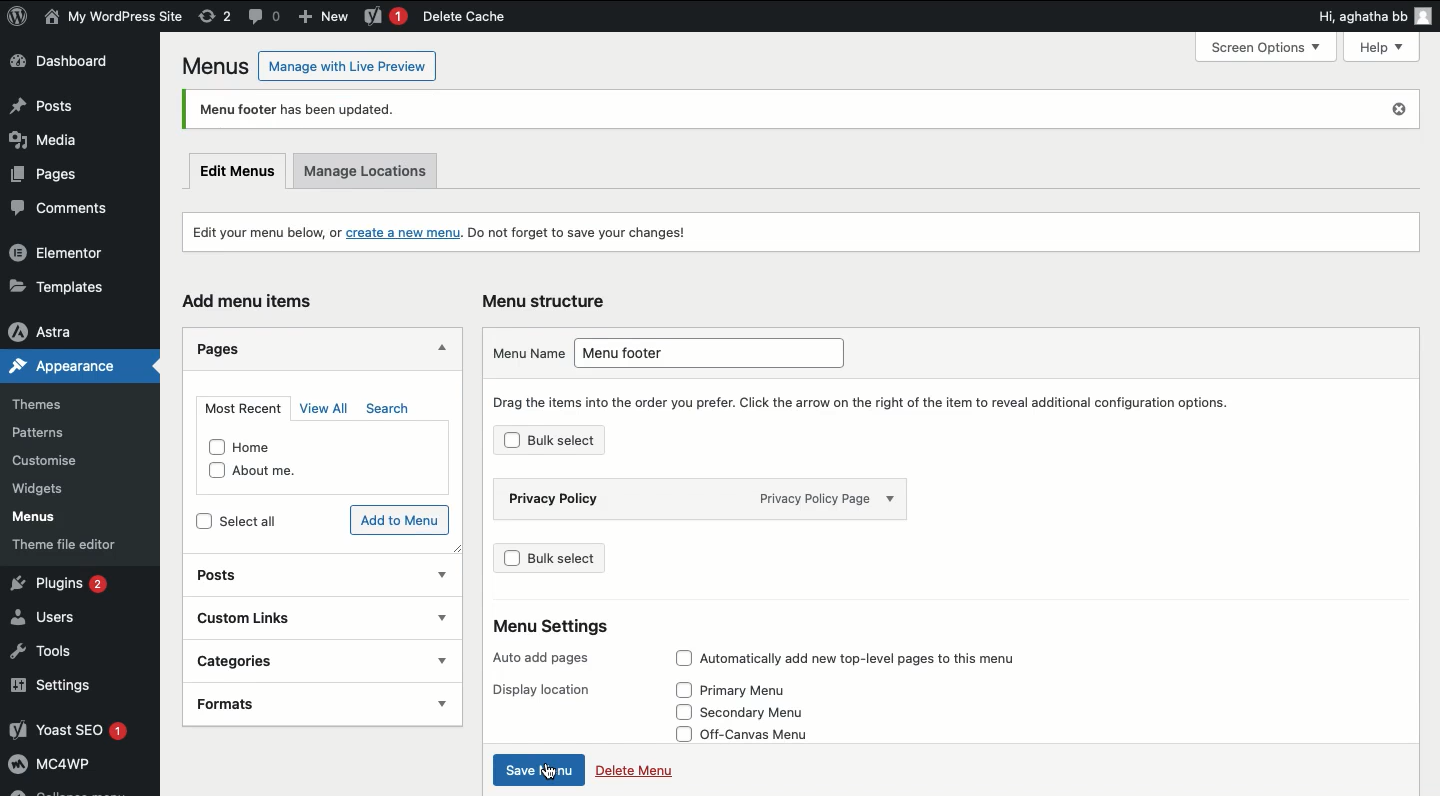 The width and height of the screenshot is (1440, 796). I want to click on Help, so click(1386, 47).